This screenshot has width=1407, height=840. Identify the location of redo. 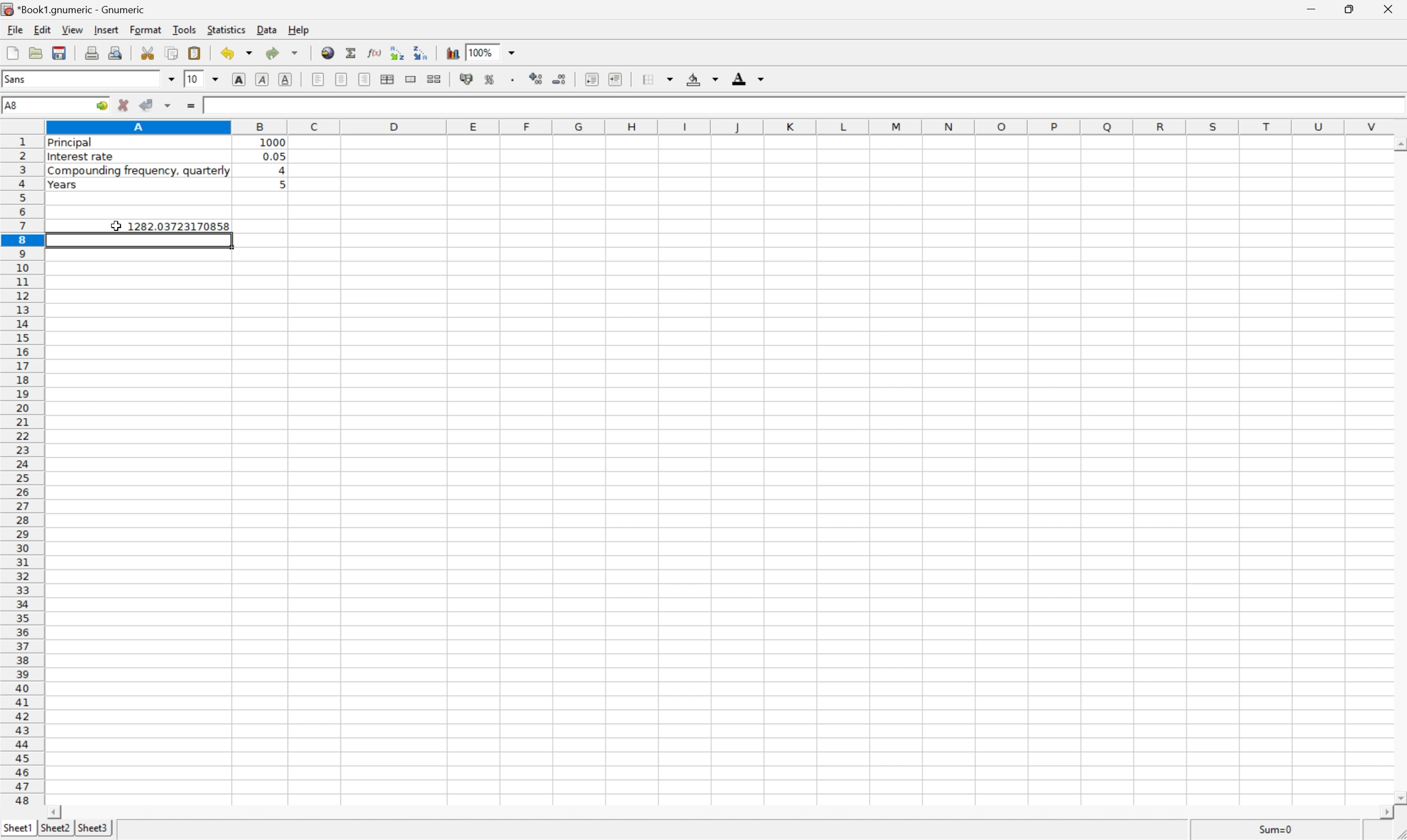
(283, 52).